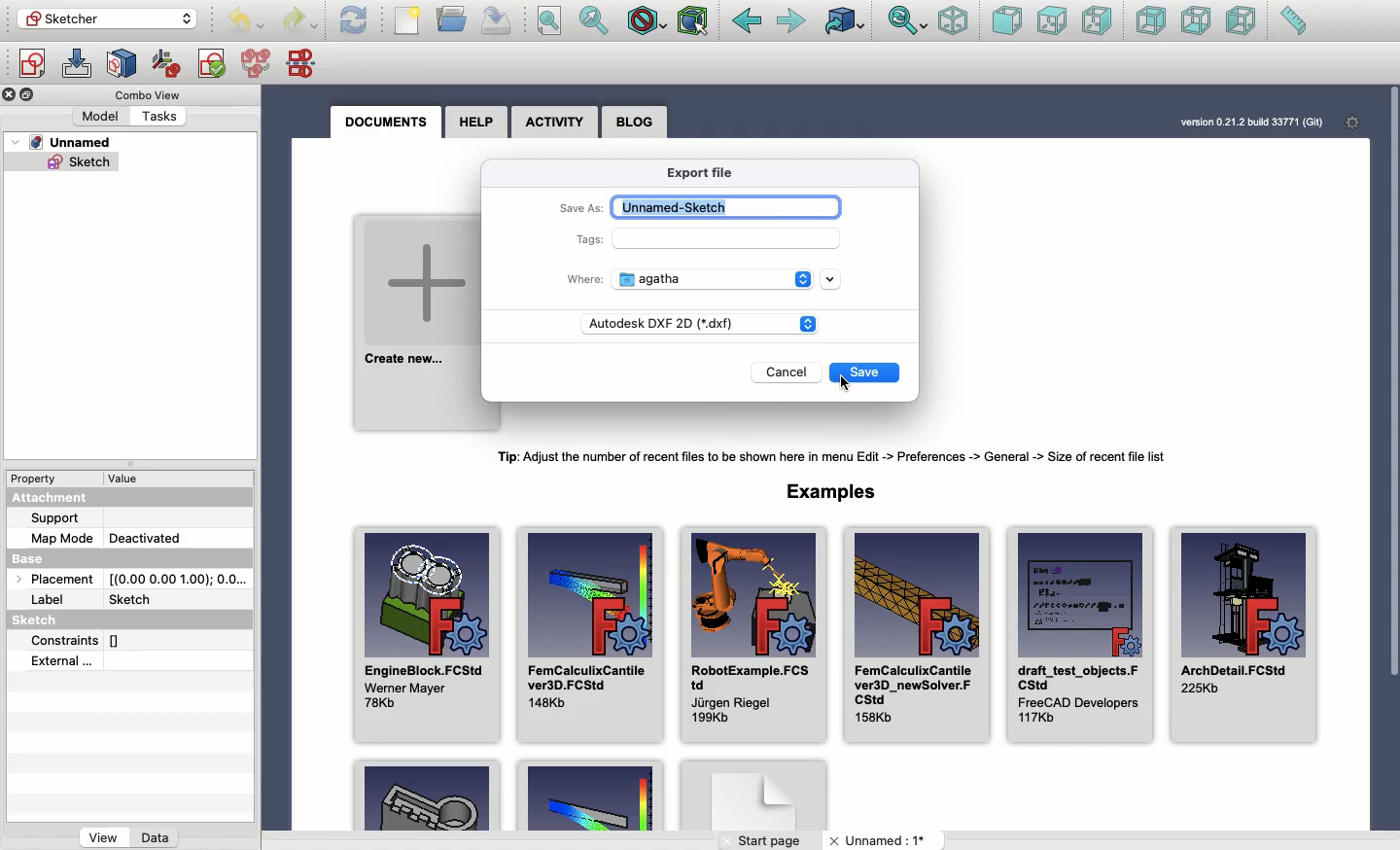  I want to click on Refresh, so click(354, 20).